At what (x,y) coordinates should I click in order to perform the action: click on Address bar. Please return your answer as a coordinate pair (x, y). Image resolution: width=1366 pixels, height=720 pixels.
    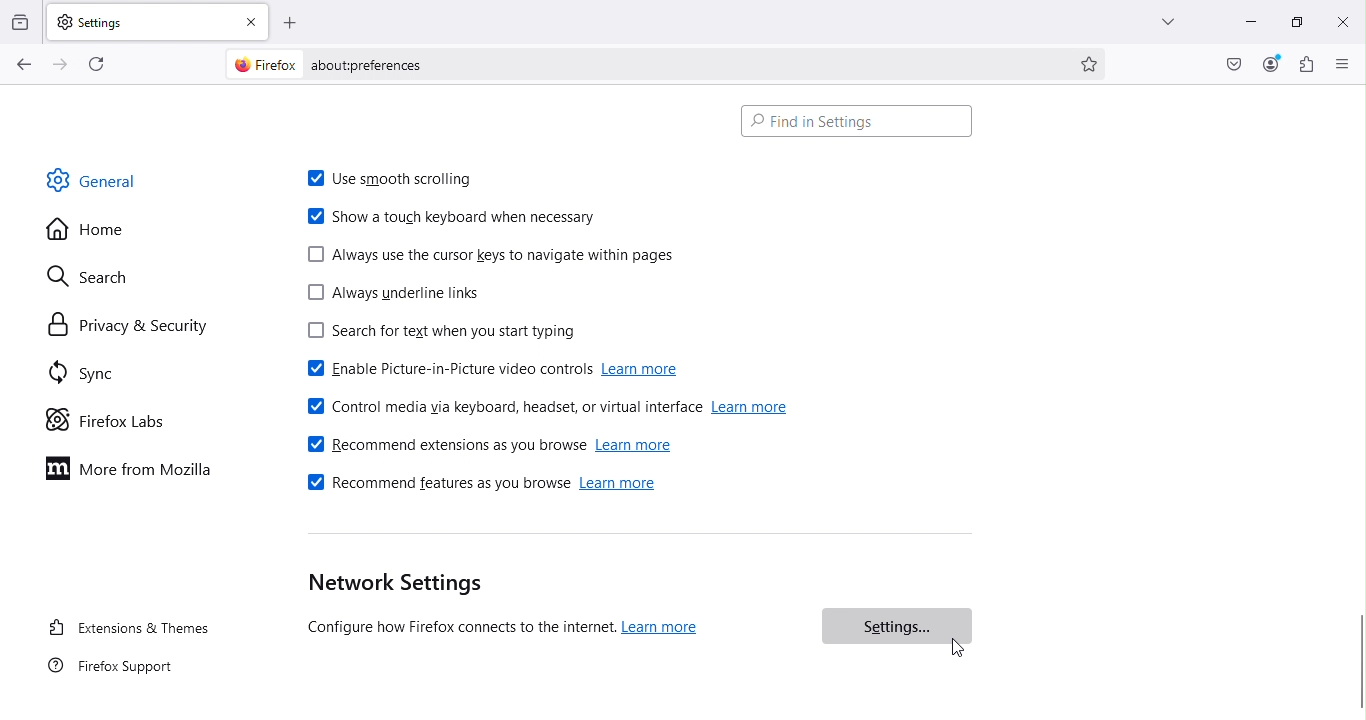
    Looking at the image, I should click on (637, 62).